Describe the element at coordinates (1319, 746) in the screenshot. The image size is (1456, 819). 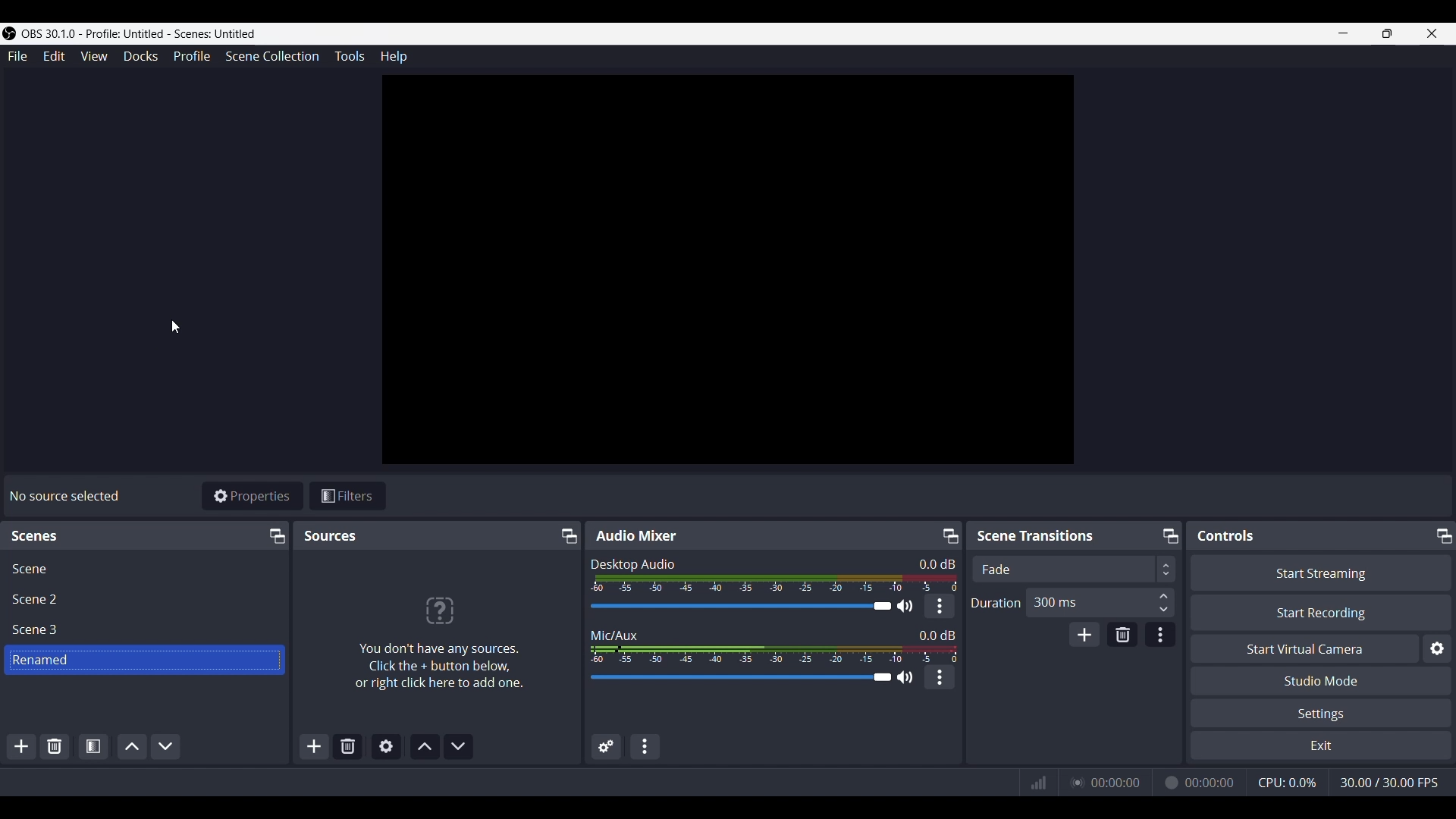
I see `Exit` at that location.